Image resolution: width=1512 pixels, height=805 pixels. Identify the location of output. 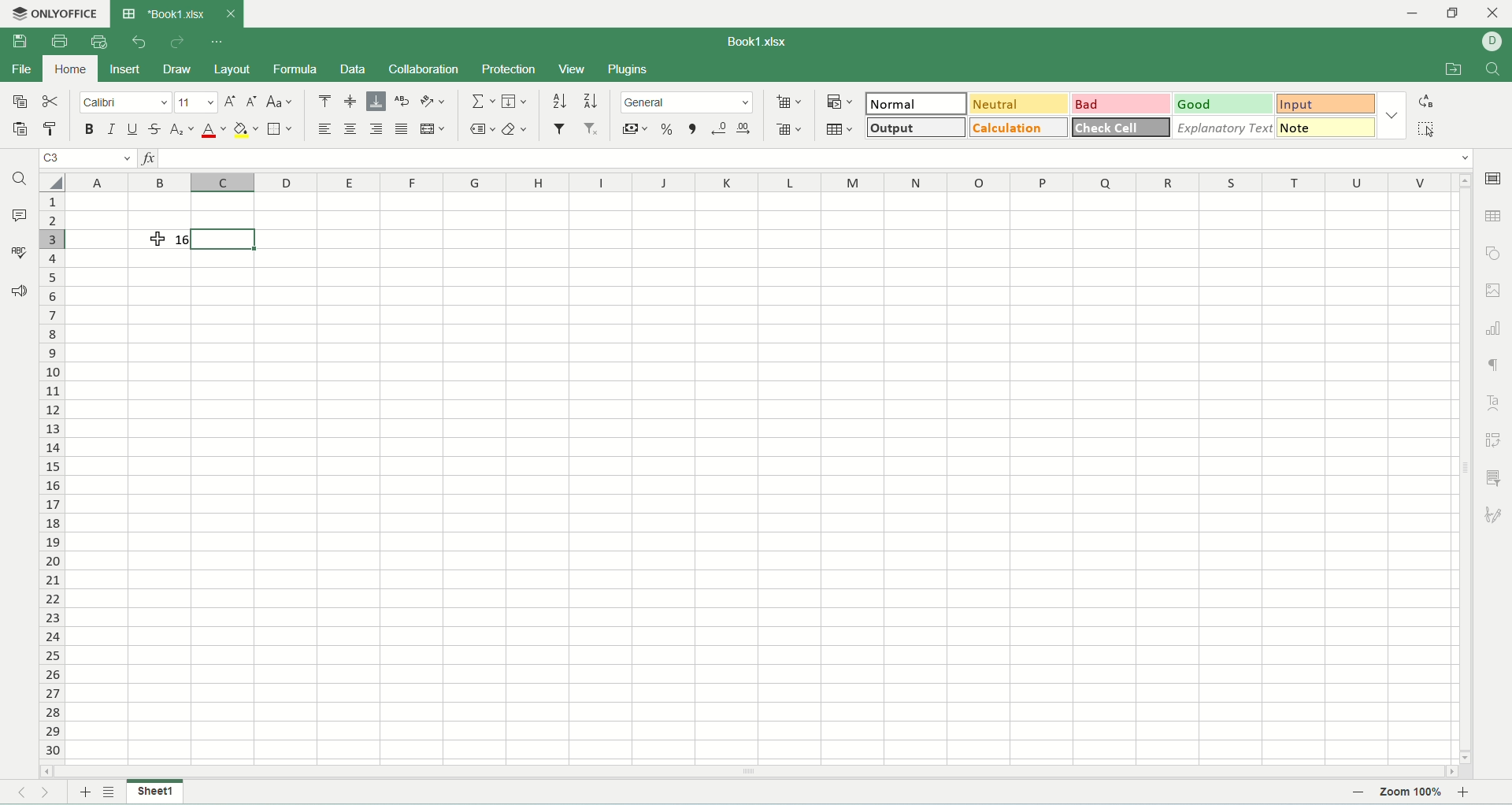
(916, 128).